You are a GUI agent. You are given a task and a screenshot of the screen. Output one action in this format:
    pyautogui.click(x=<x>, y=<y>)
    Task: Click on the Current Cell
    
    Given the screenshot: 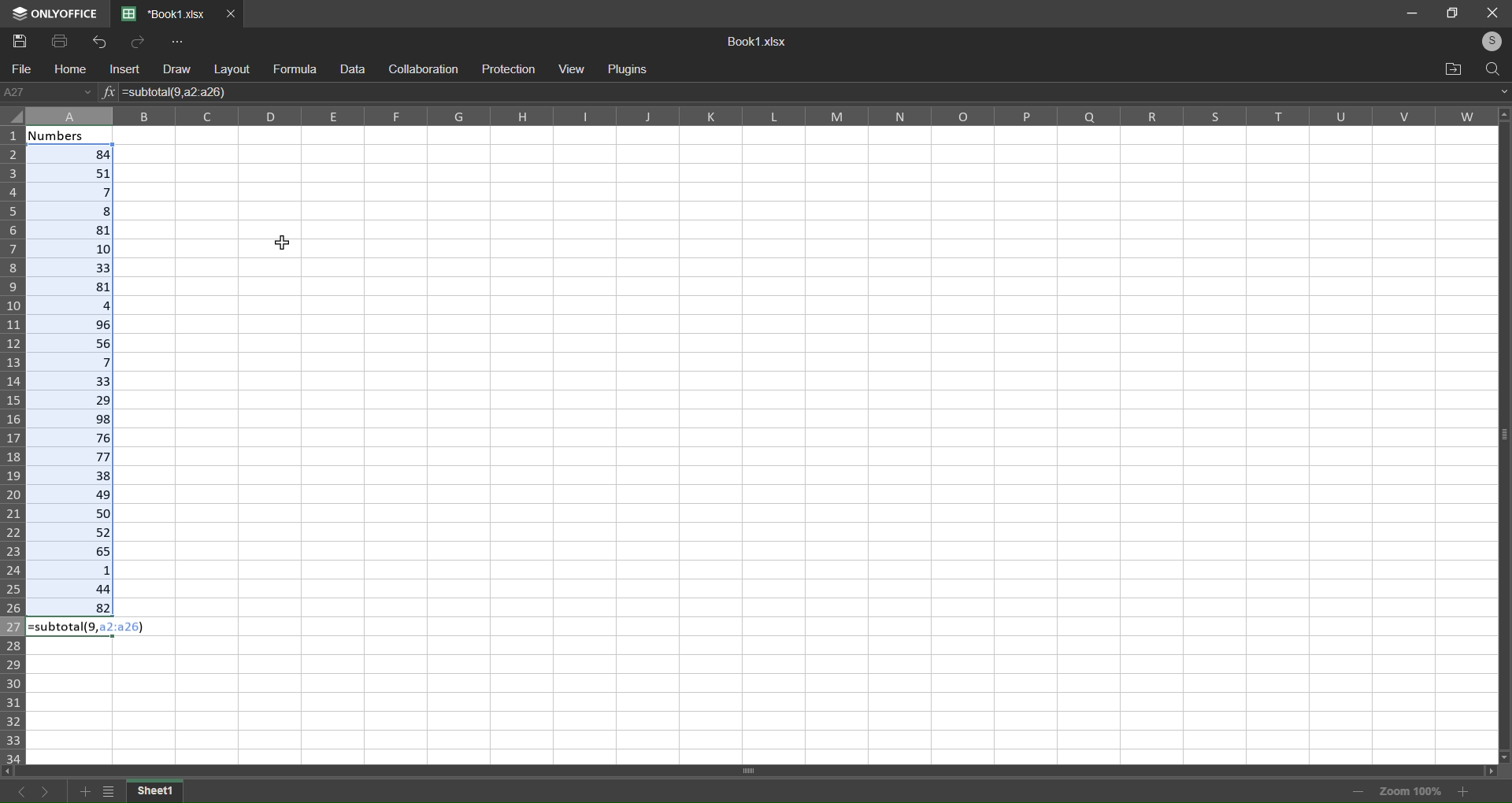 What is the action you would take?
    pyautogui.click(x=50, y=91)
    